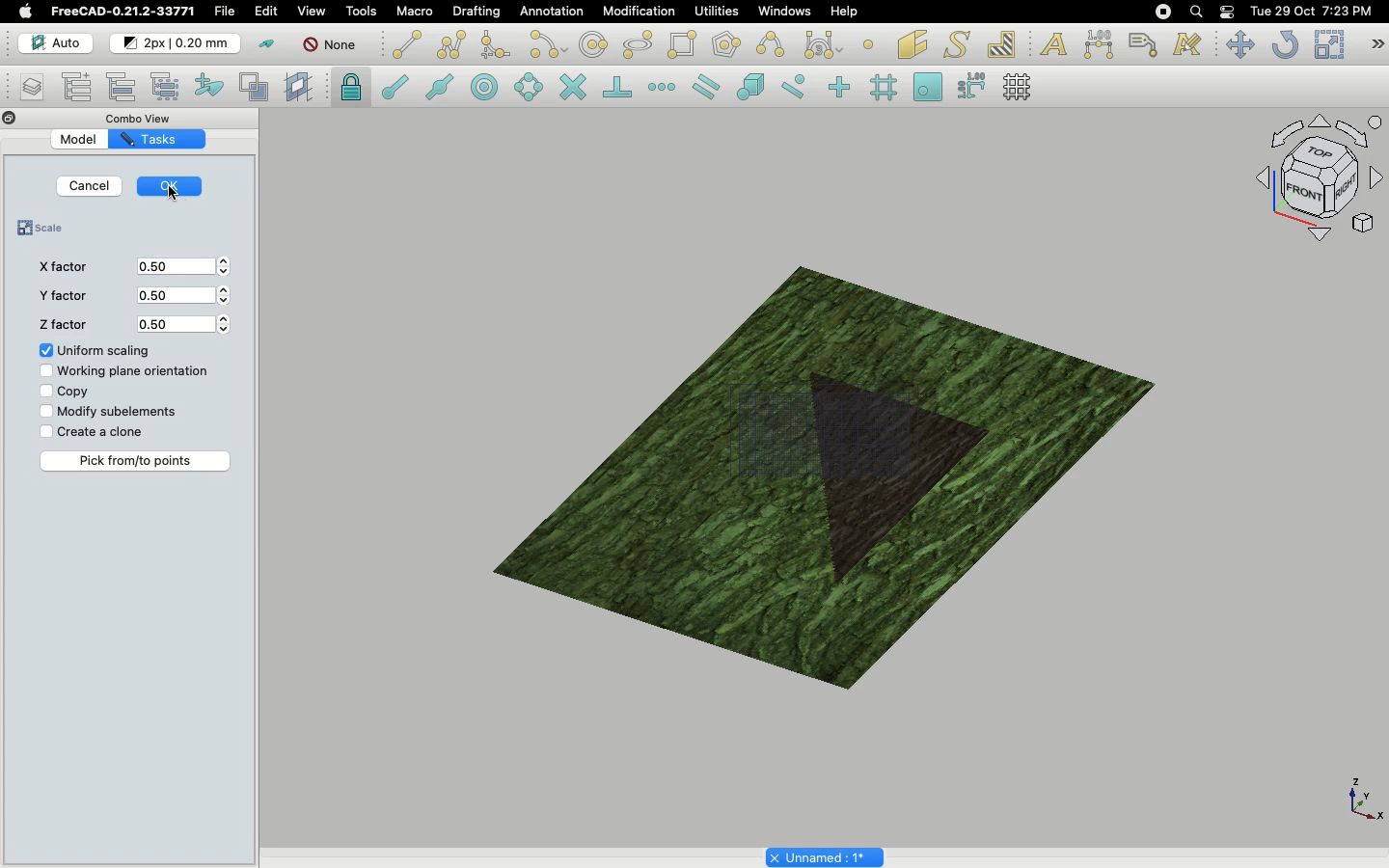 The height and width of the screenshot is (868, 1389). I want to click on OK, so click(173, 183).